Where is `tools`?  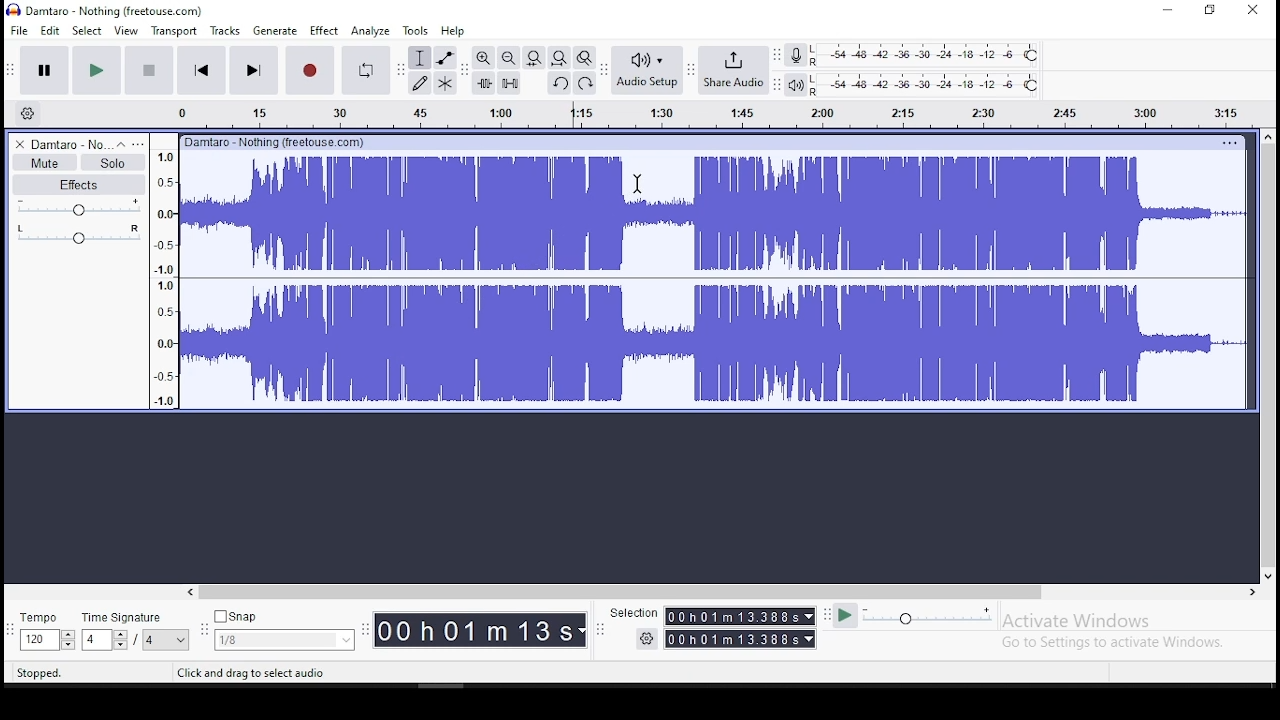
tools is located at coordinates (416, 32).